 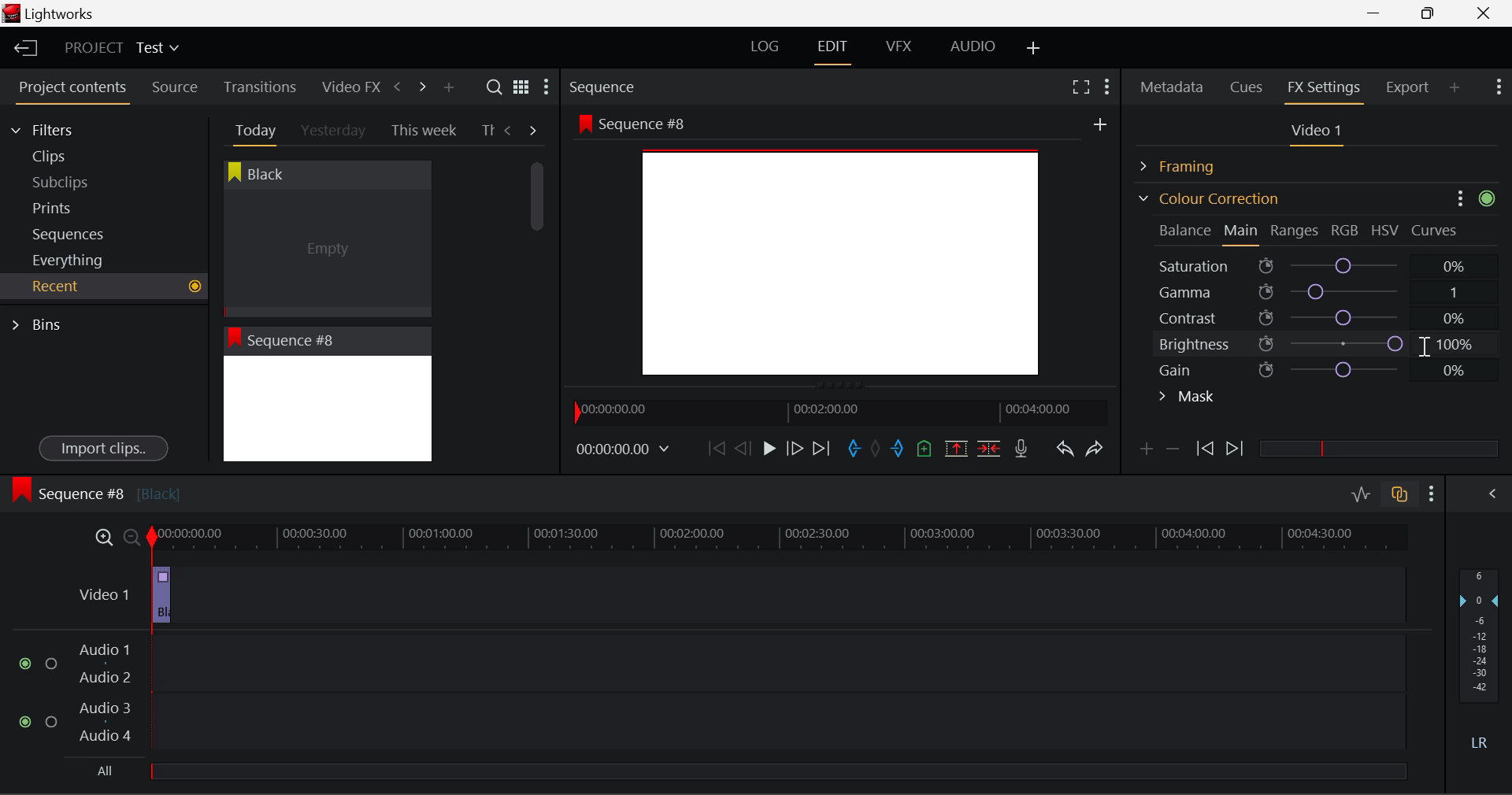 What do you see at coordinates (20, 49) in the screenshot?
I see `Back to Homepage` at bounding box center [20, 49].